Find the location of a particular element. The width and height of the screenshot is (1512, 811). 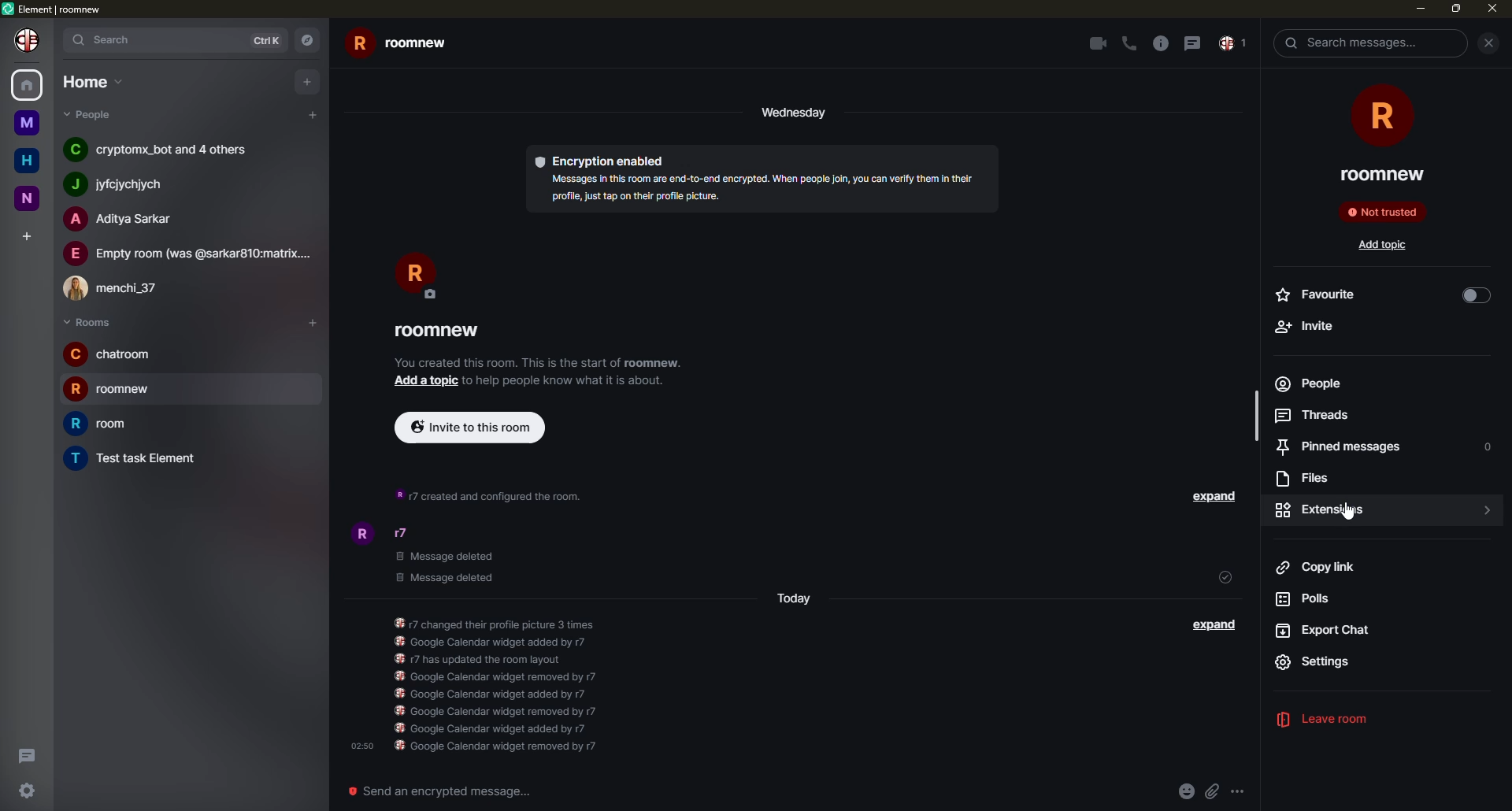

add is located at coordinates (423, 380).